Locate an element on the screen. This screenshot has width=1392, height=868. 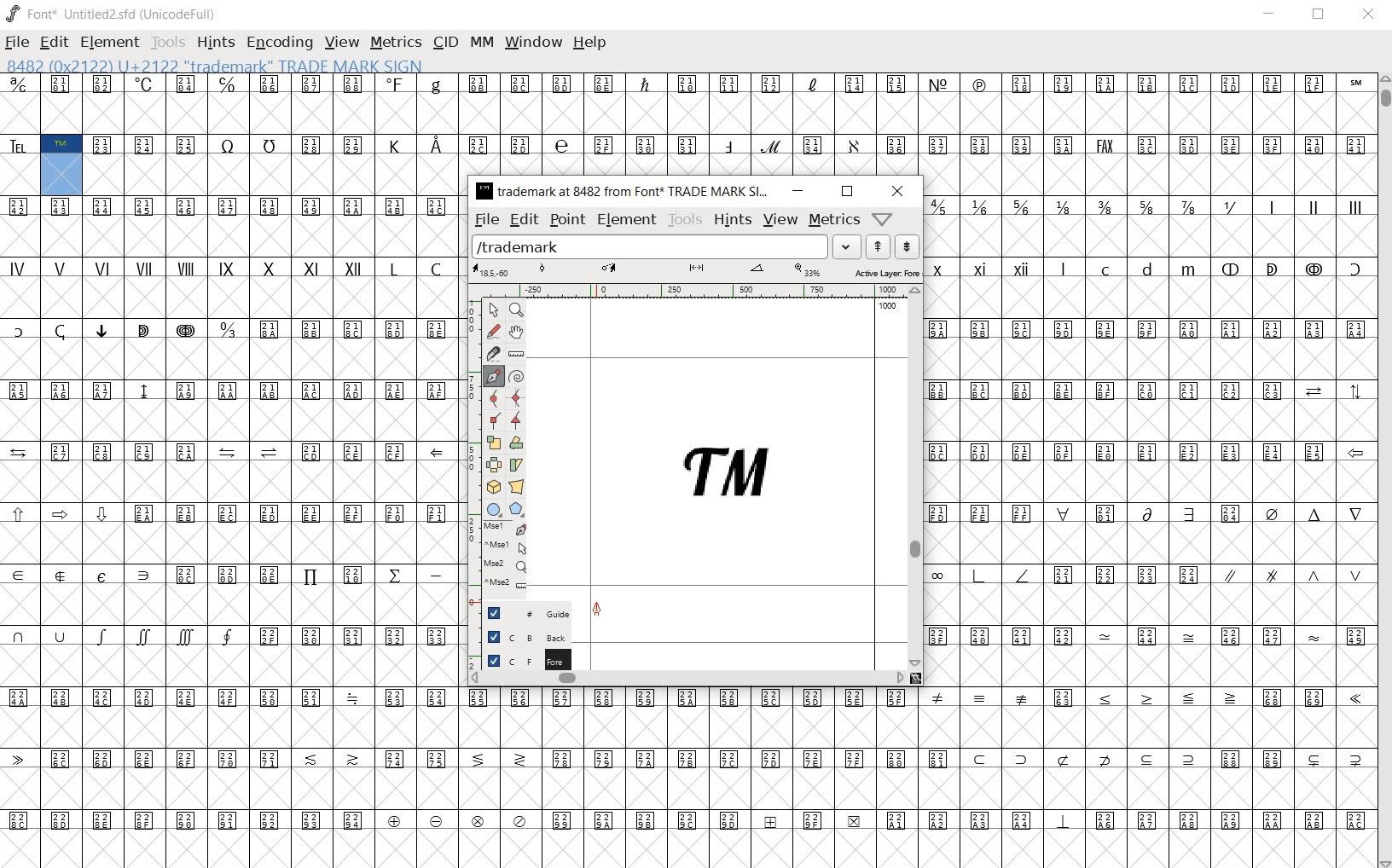
file is located at coordinates (488, 220).